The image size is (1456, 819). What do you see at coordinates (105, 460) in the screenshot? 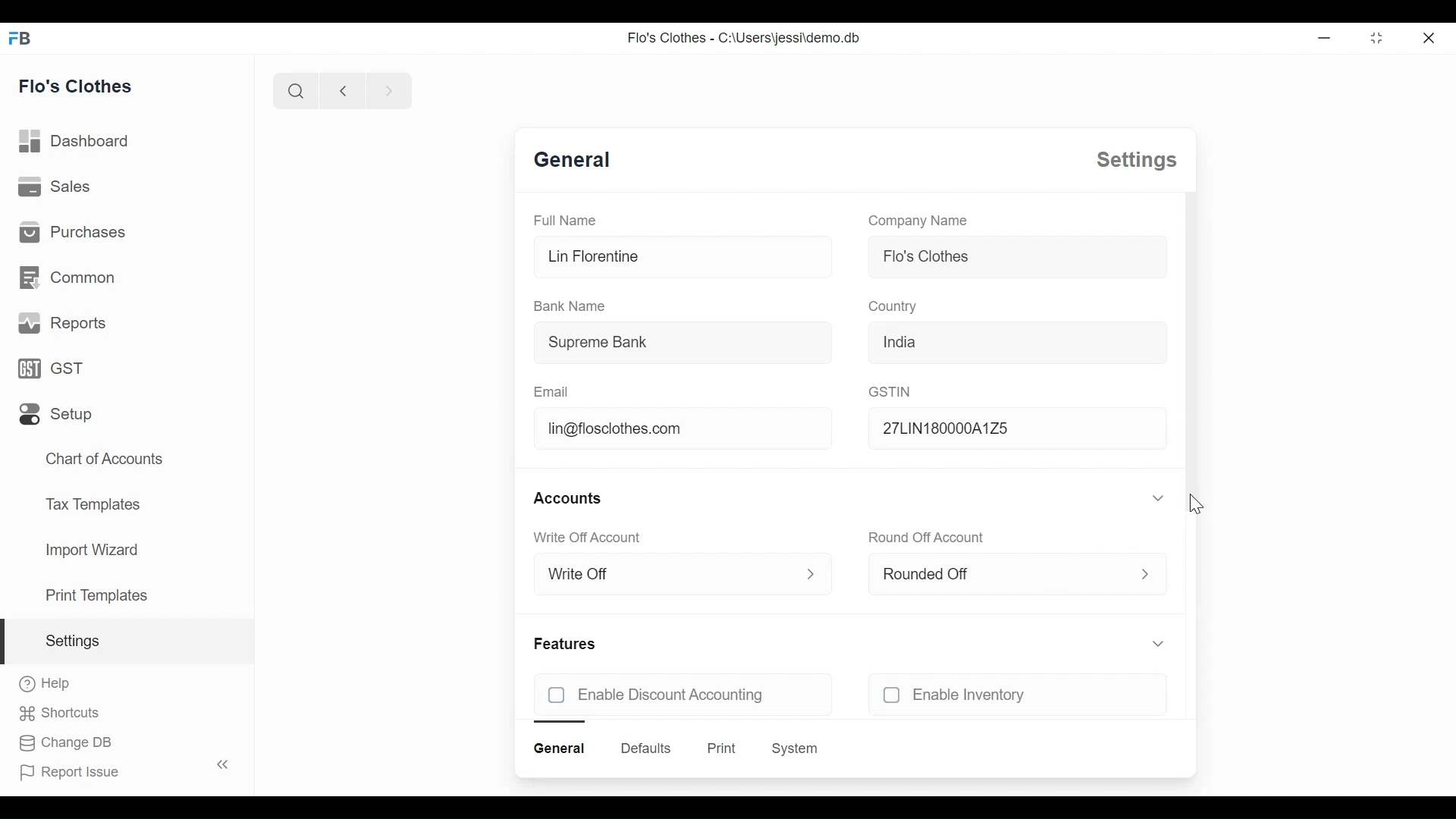
I see `Chart of Accounts` at bounding box center [105, 460].